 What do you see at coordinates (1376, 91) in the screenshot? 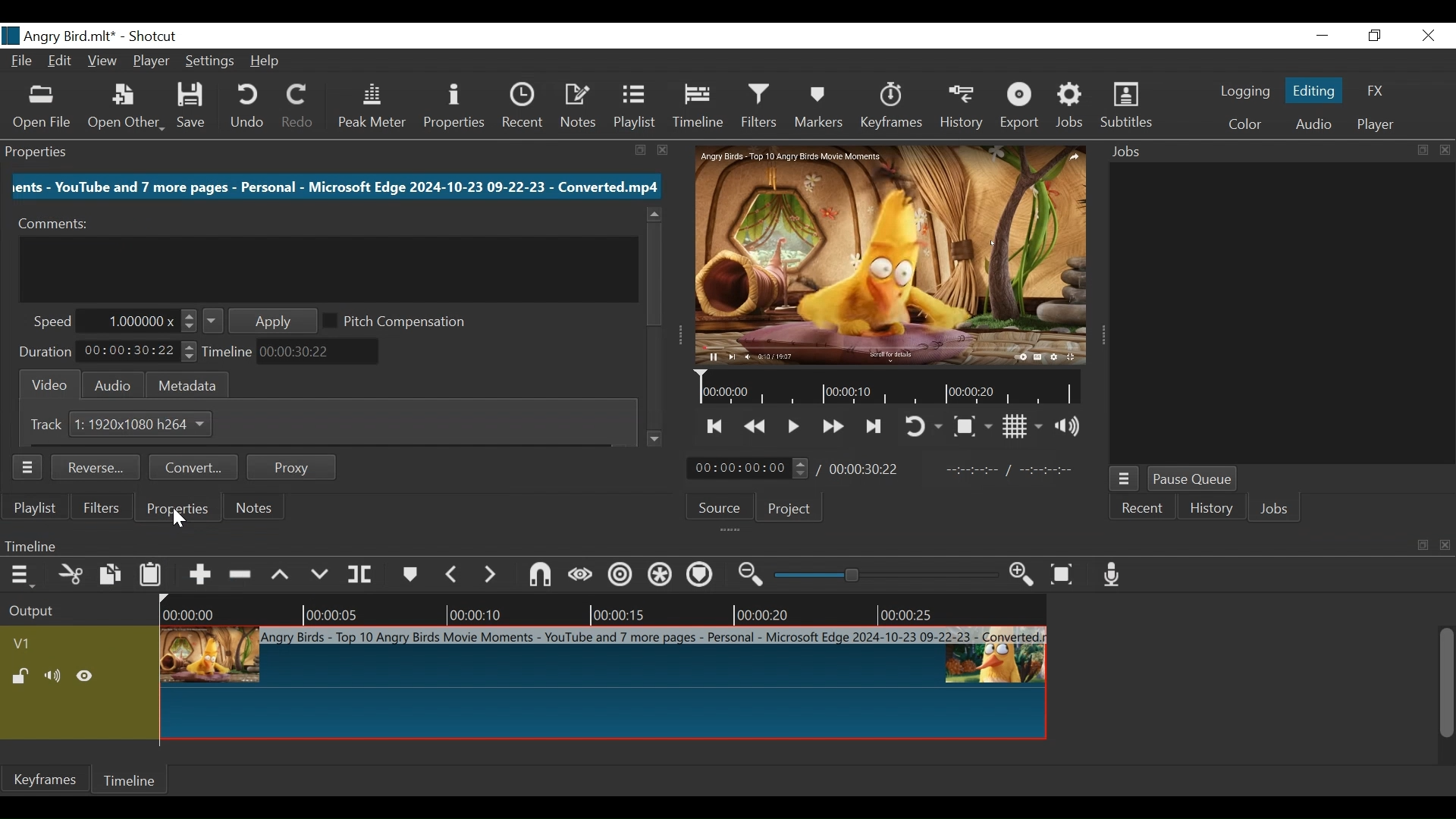
I see `FX` at bounding box center [1376, 91].